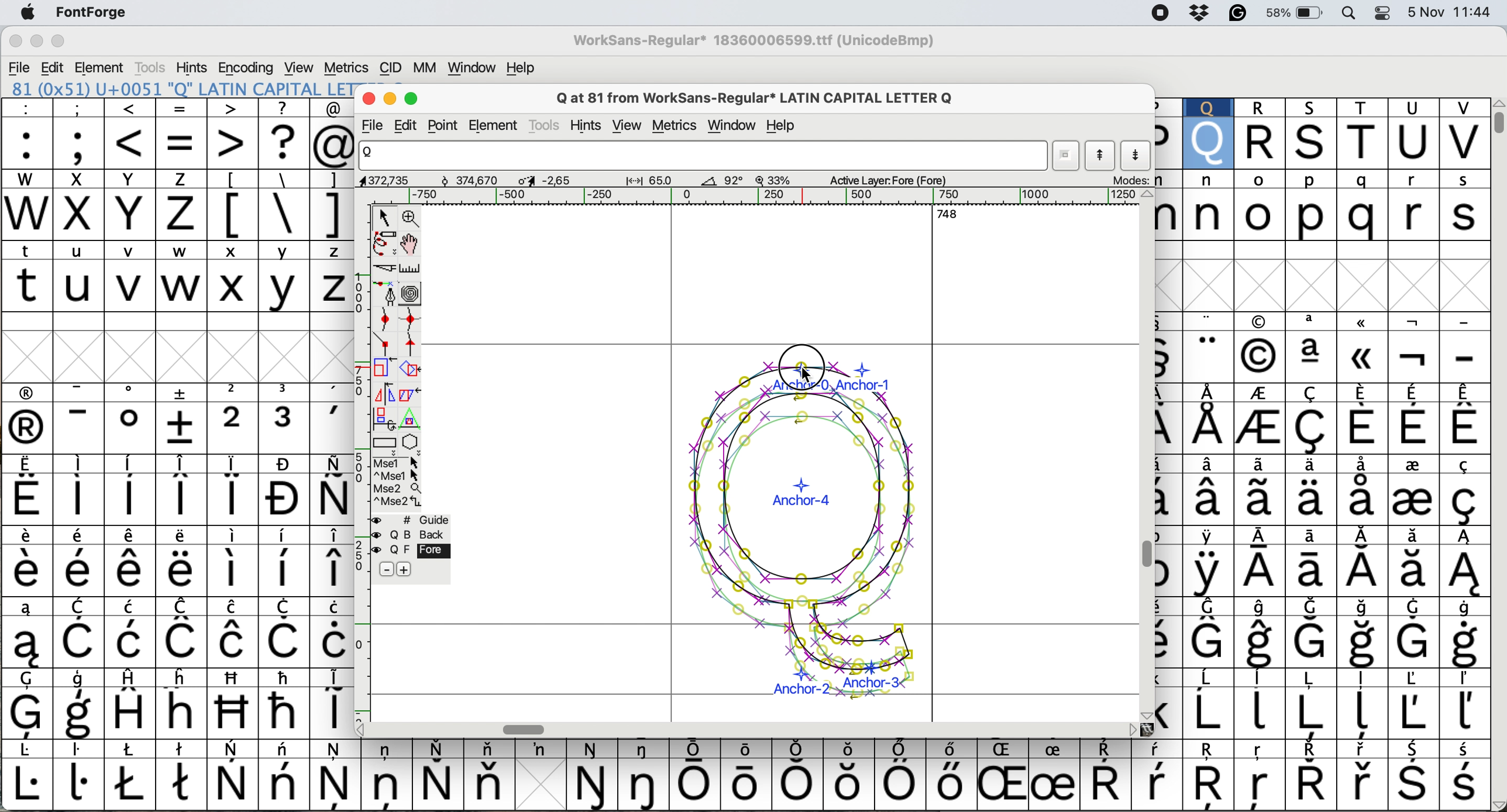  I want to click on horizontal scroll bar, so click(940, 213).